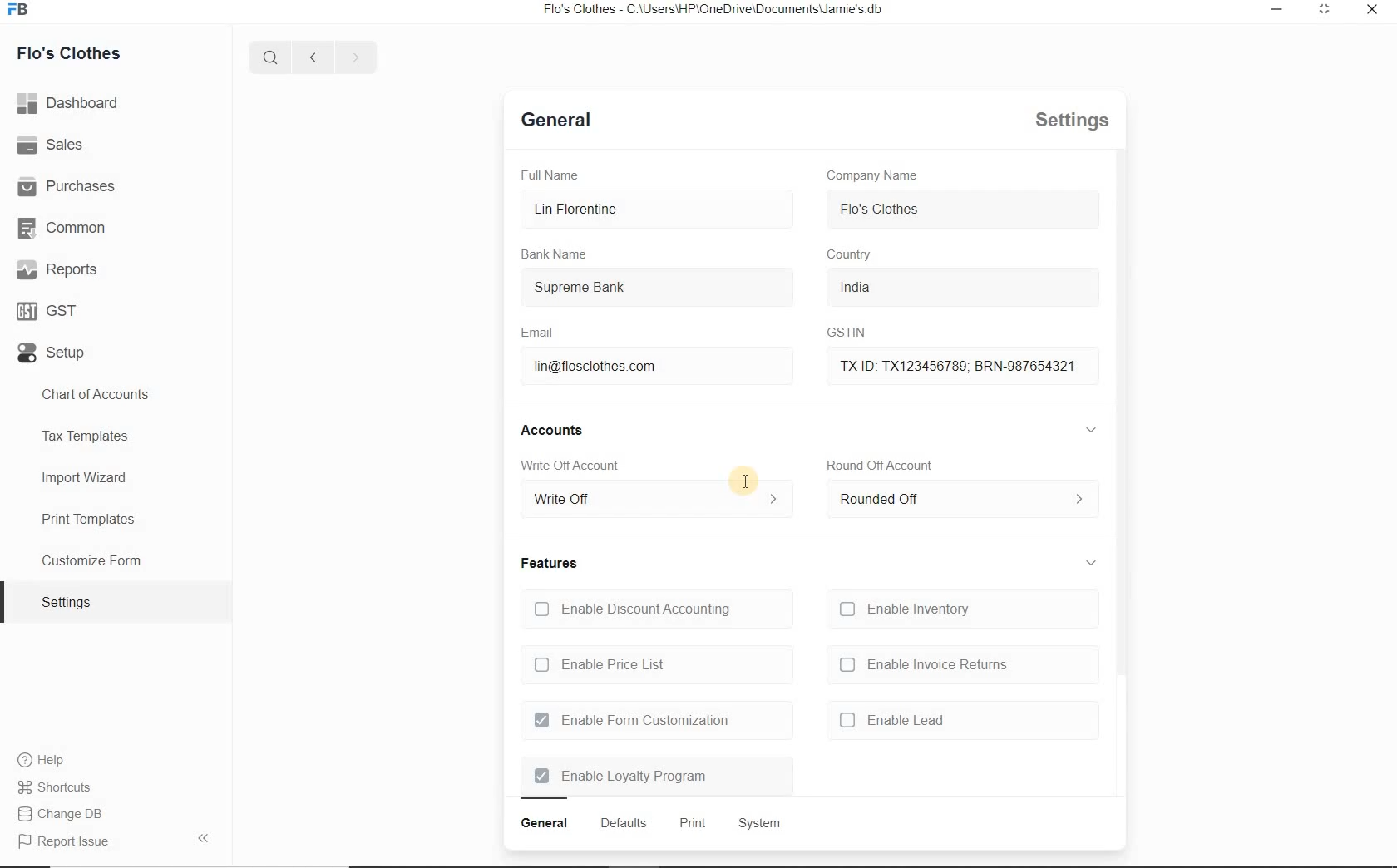 This screenshot has height=868, width=1397. What do you see at coordinates (954, 367) in the screenshot?
I see `TX ID: TX123456789; BRN-987654321` at bounding box center [954, 367].